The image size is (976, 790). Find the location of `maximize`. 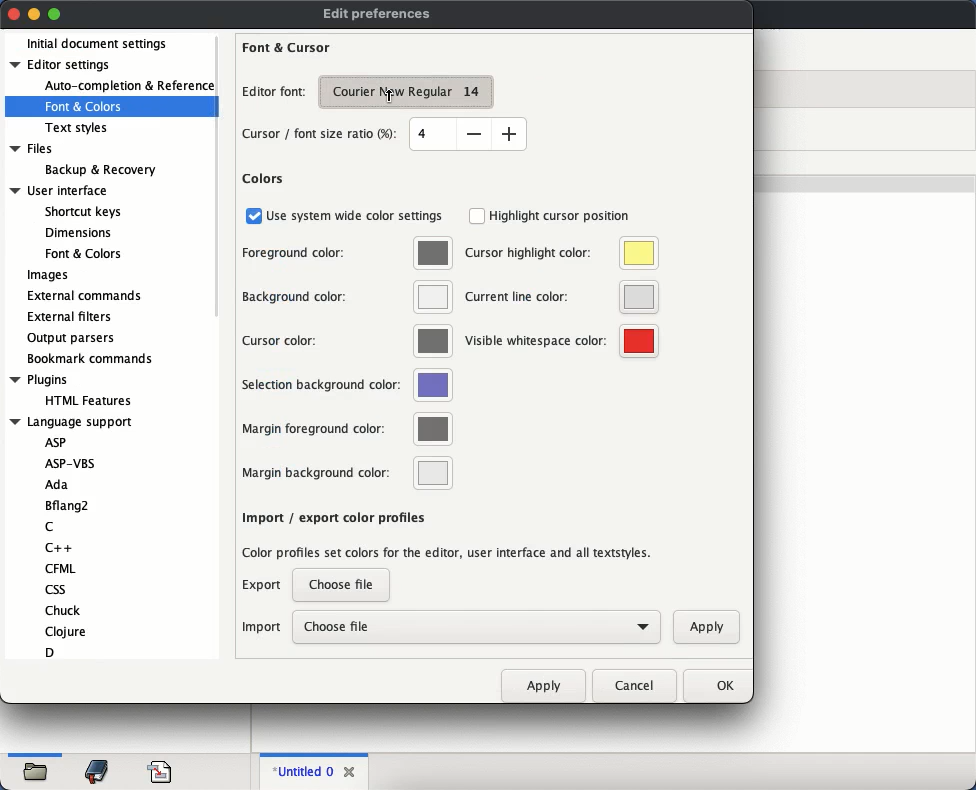

maximize is located at coordinates (55, 15).